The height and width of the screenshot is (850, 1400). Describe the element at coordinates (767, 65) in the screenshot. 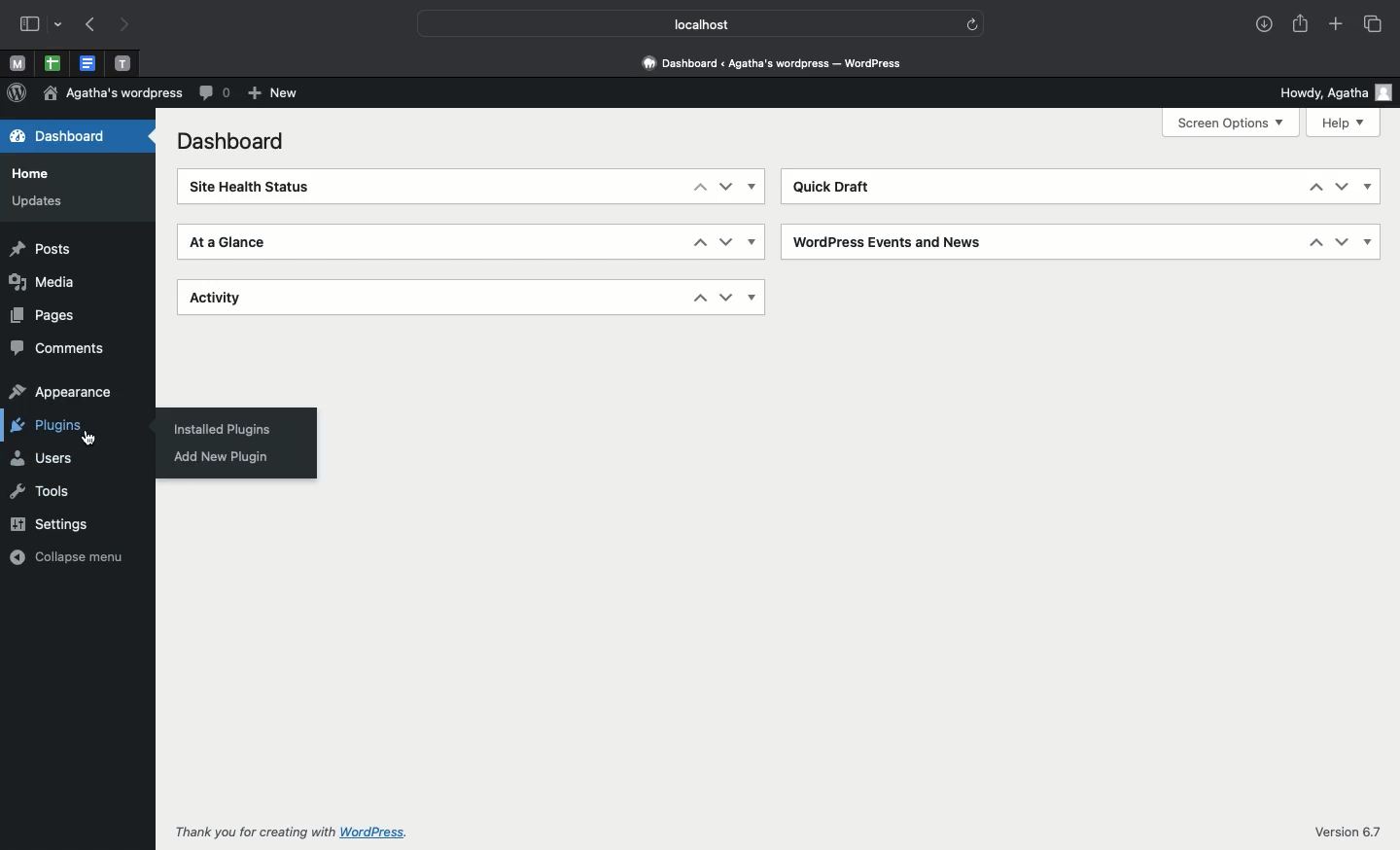

I see `Dashboard` at that location.